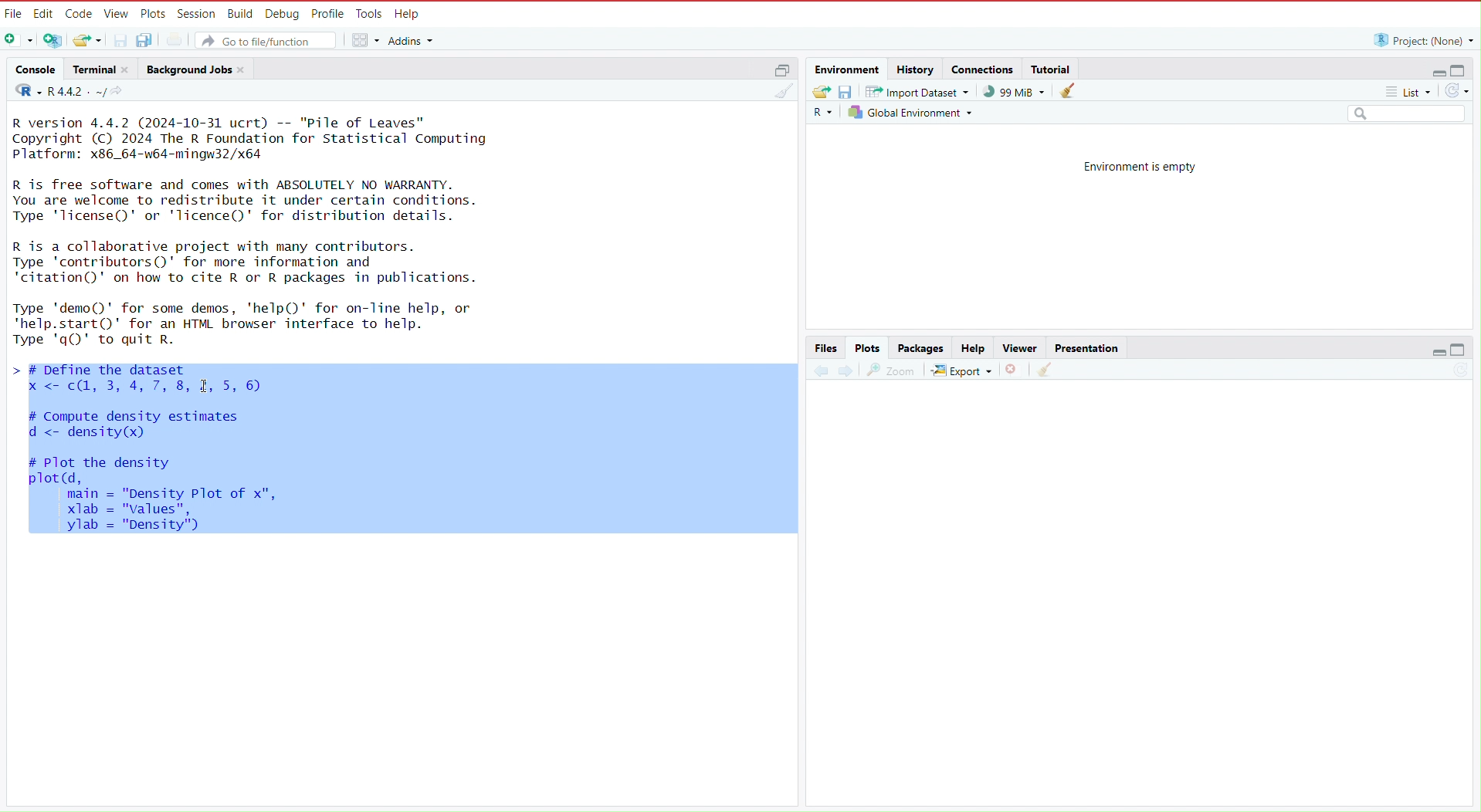 This screenshot has height=812, width=1481. What do you see at coordinates (121, 92) in the screenshot?
I see `view the current working directory` at bounding box center [121, 92].